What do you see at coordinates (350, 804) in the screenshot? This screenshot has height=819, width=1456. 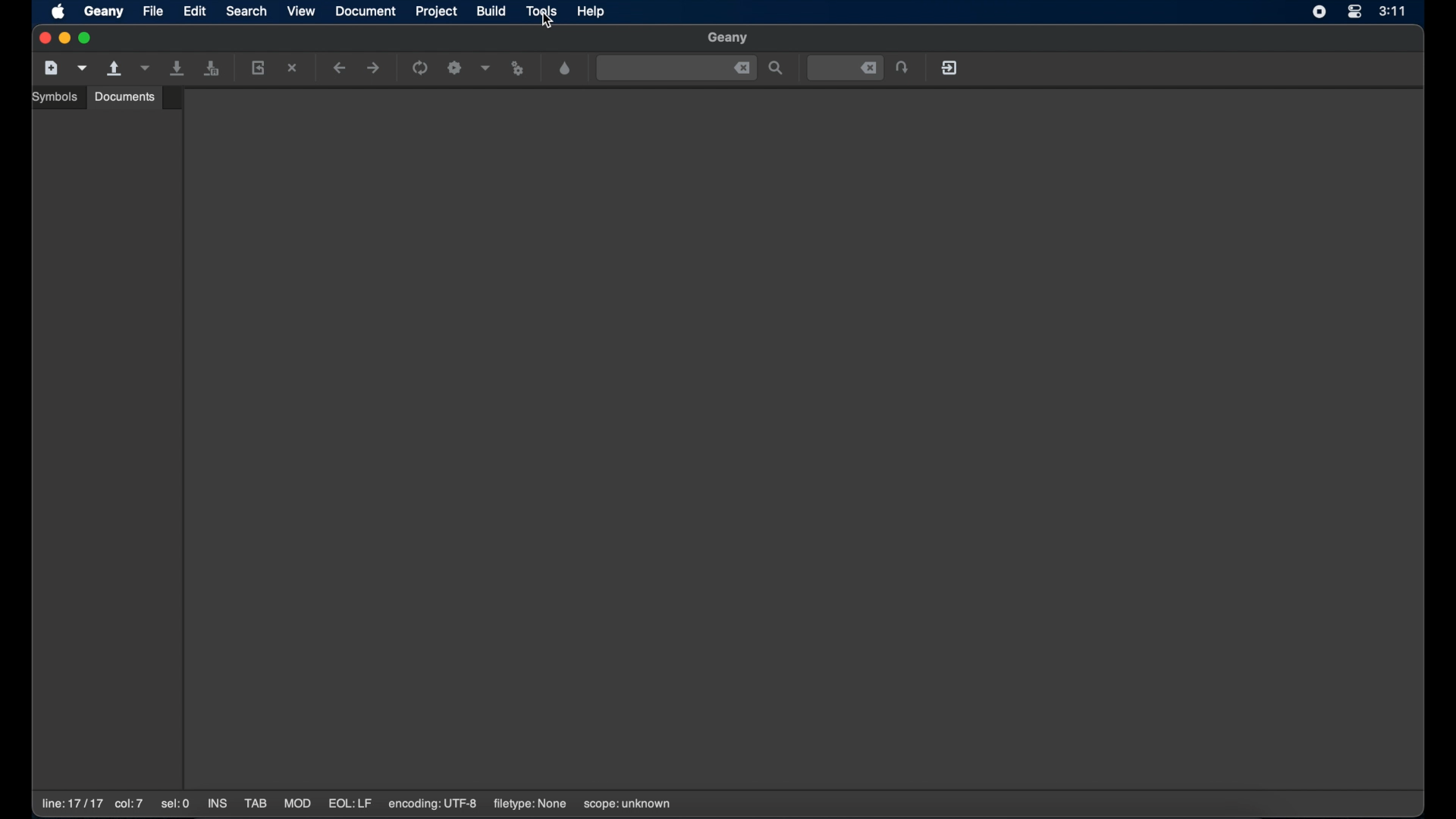 I see `EQL:LF` at bounding box center [350, 804].